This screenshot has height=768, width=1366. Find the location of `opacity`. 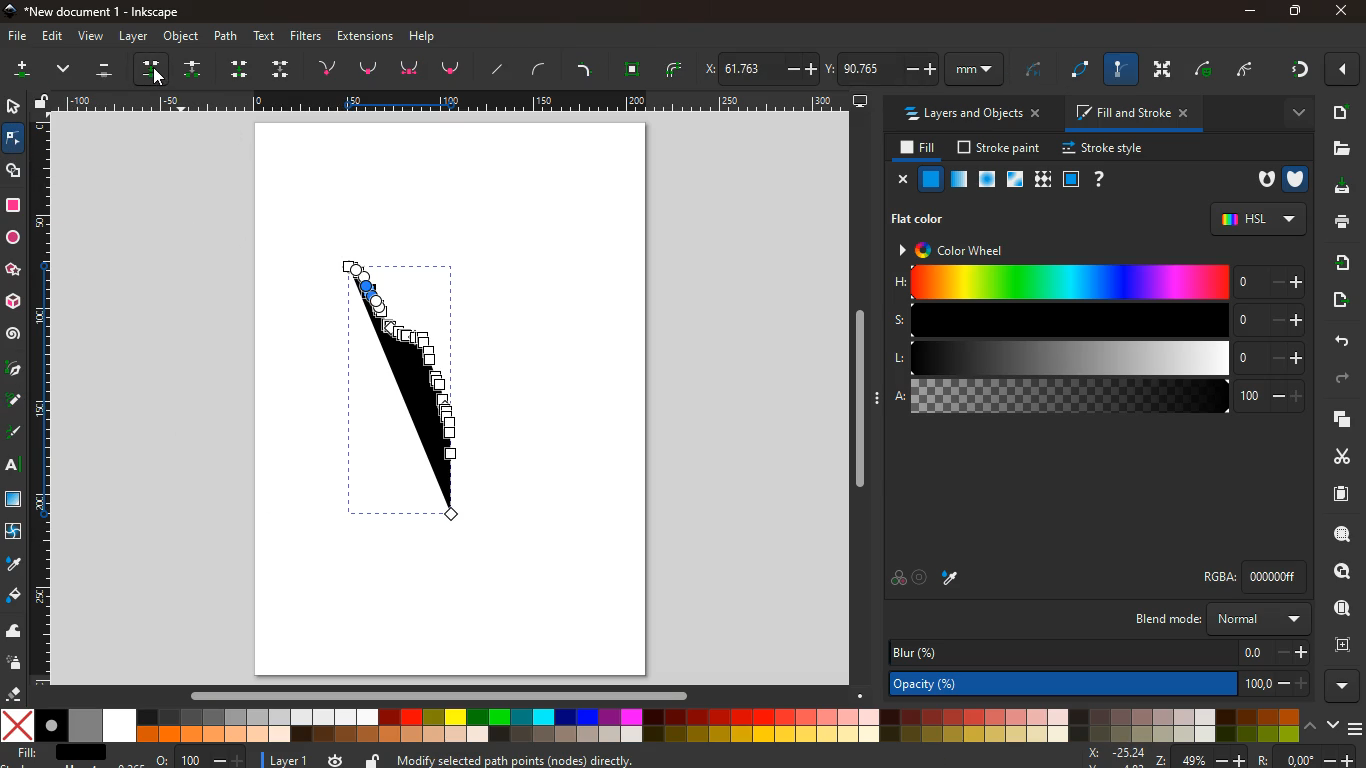

opacity is located at coordinates (960, 180).